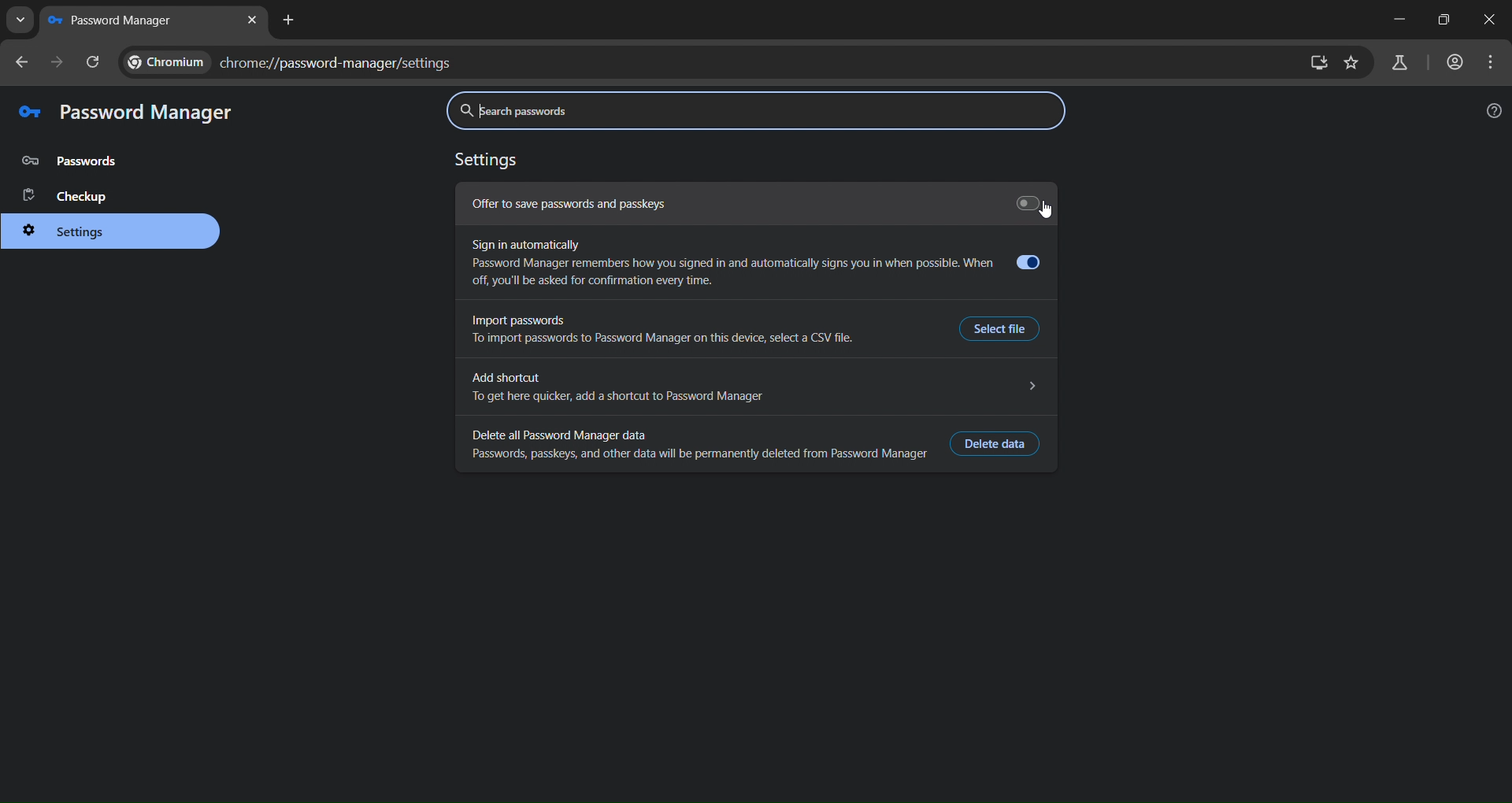 Image resolution: width=1512 pixels, height=803 pixels. Describe the element at coordinates (289, 20) in the screenshot. I see `new tab` at that location.